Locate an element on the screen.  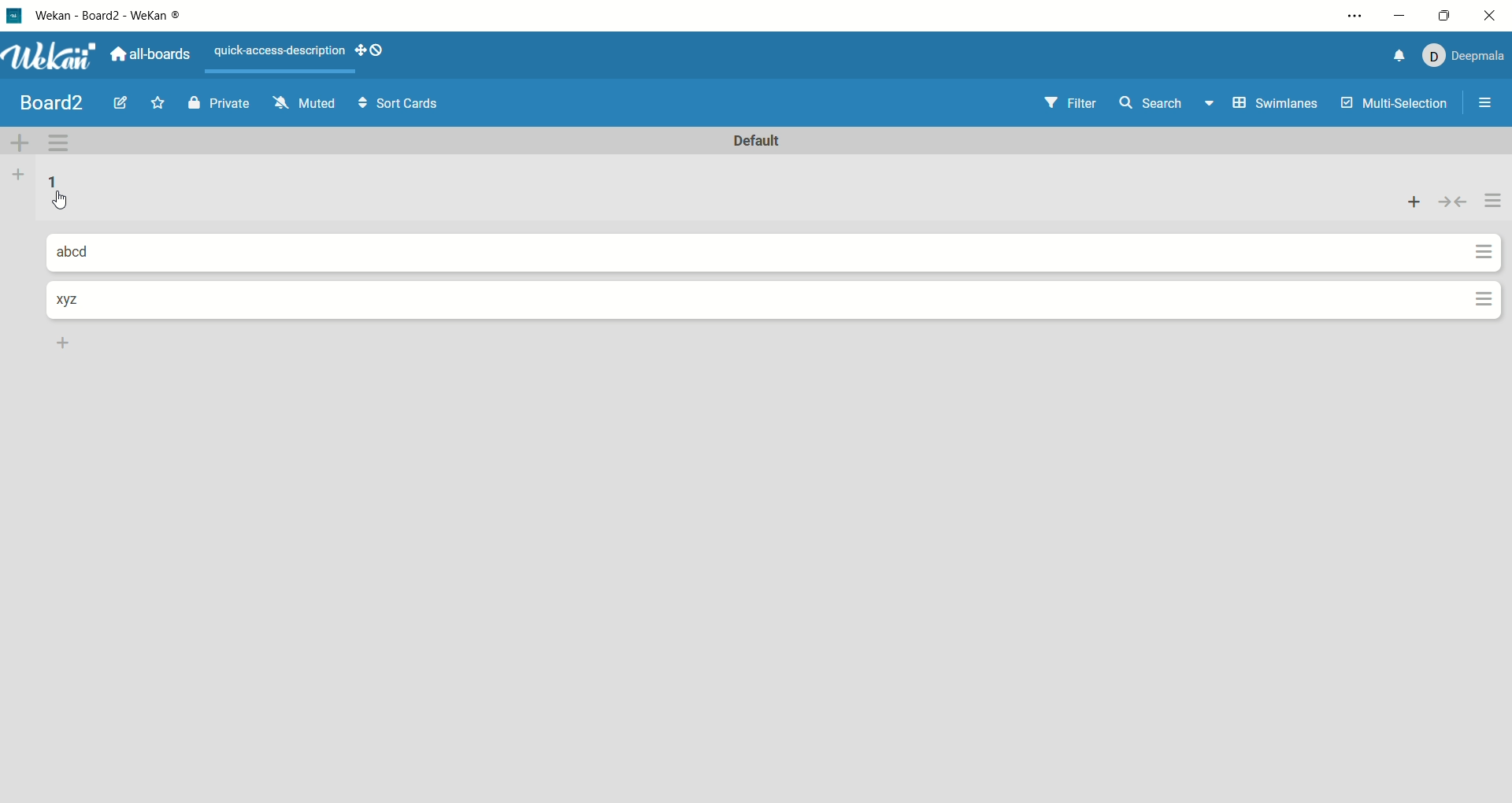
add swimlane is located at coordinates (22, 140).